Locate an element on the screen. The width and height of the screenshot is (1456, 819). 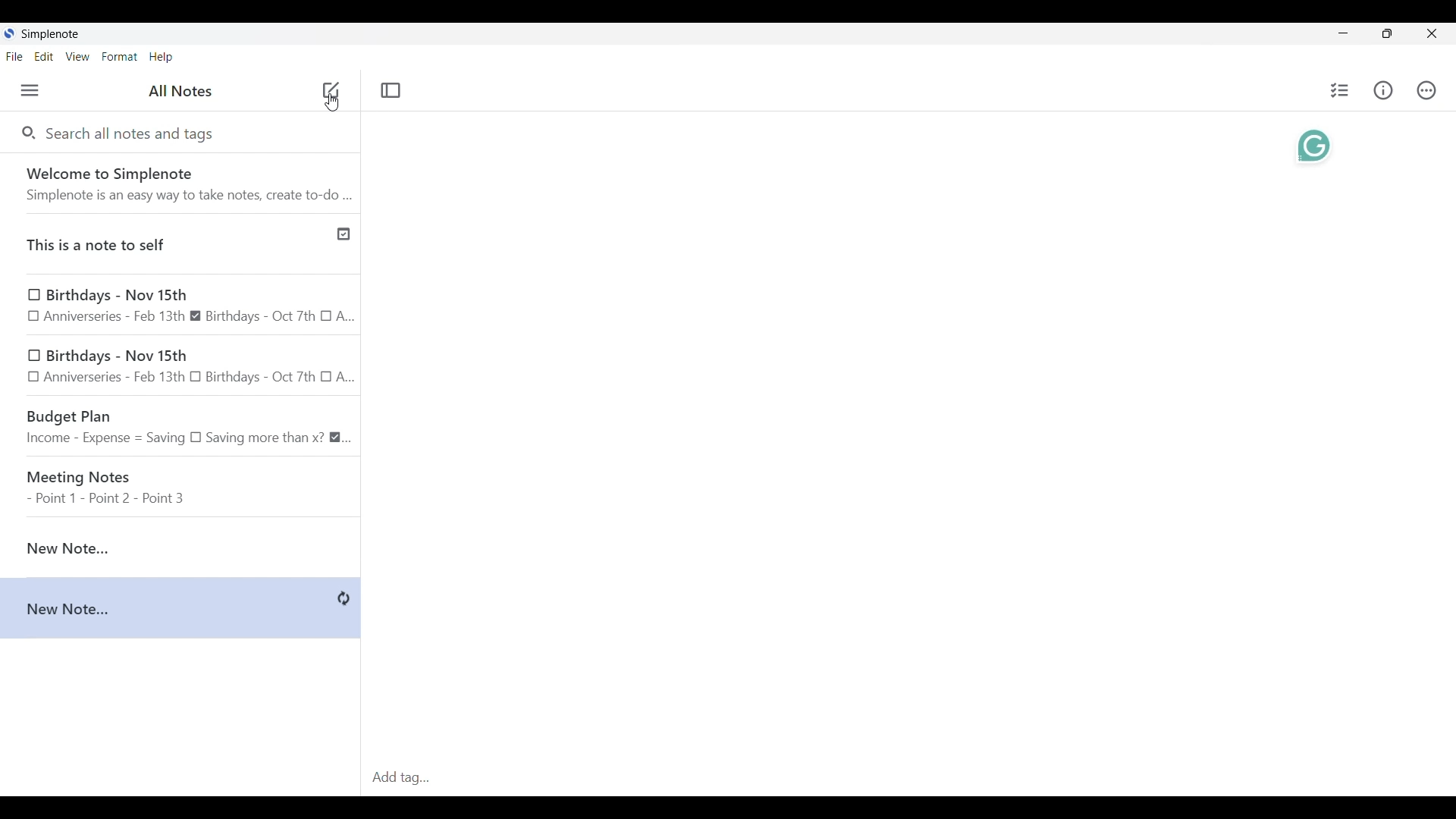
Show interface in a smaller tab is located at coordinates (1388, 33).